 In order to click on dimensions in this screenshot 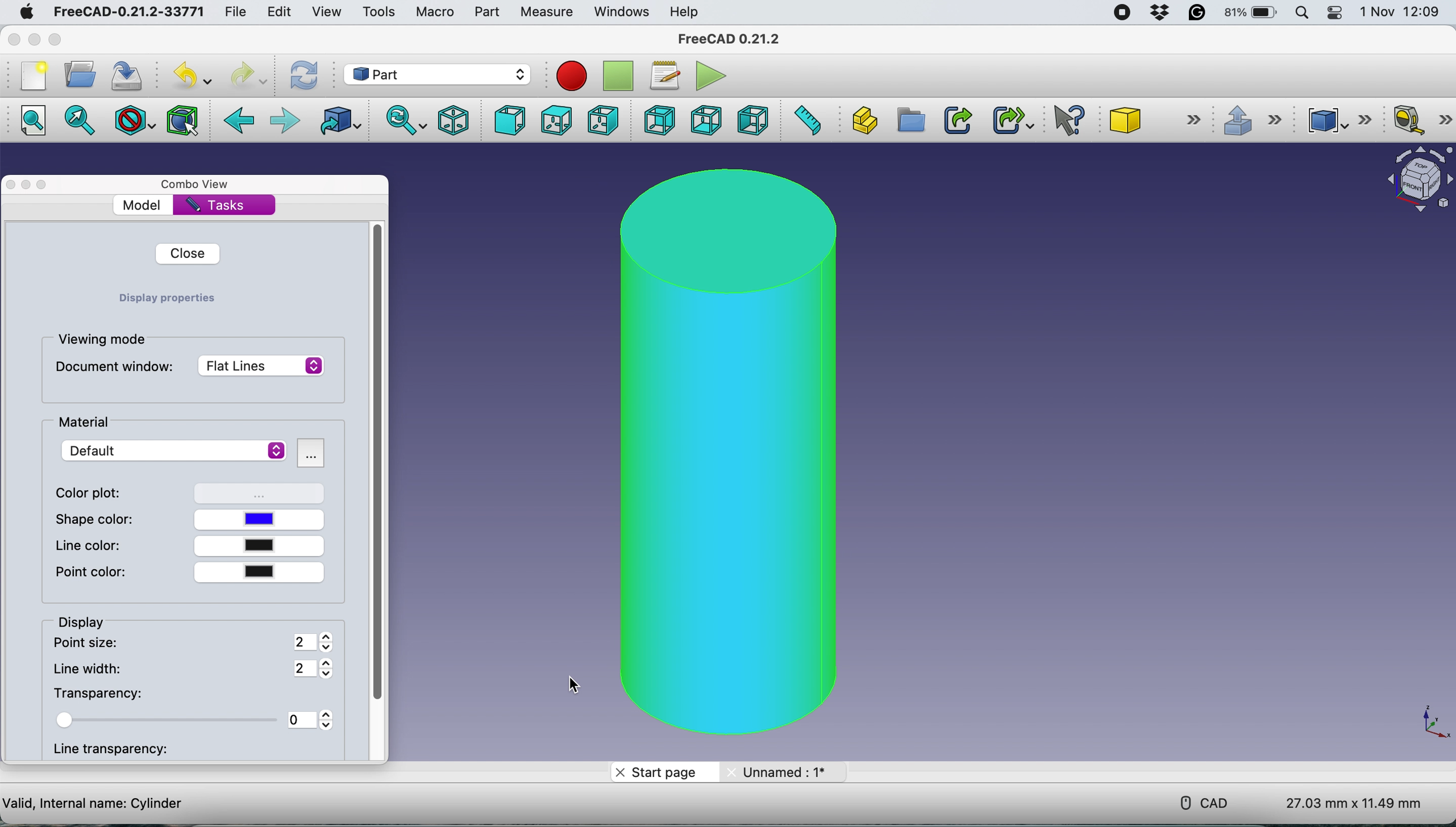, I will do `click(1347, 803)`.